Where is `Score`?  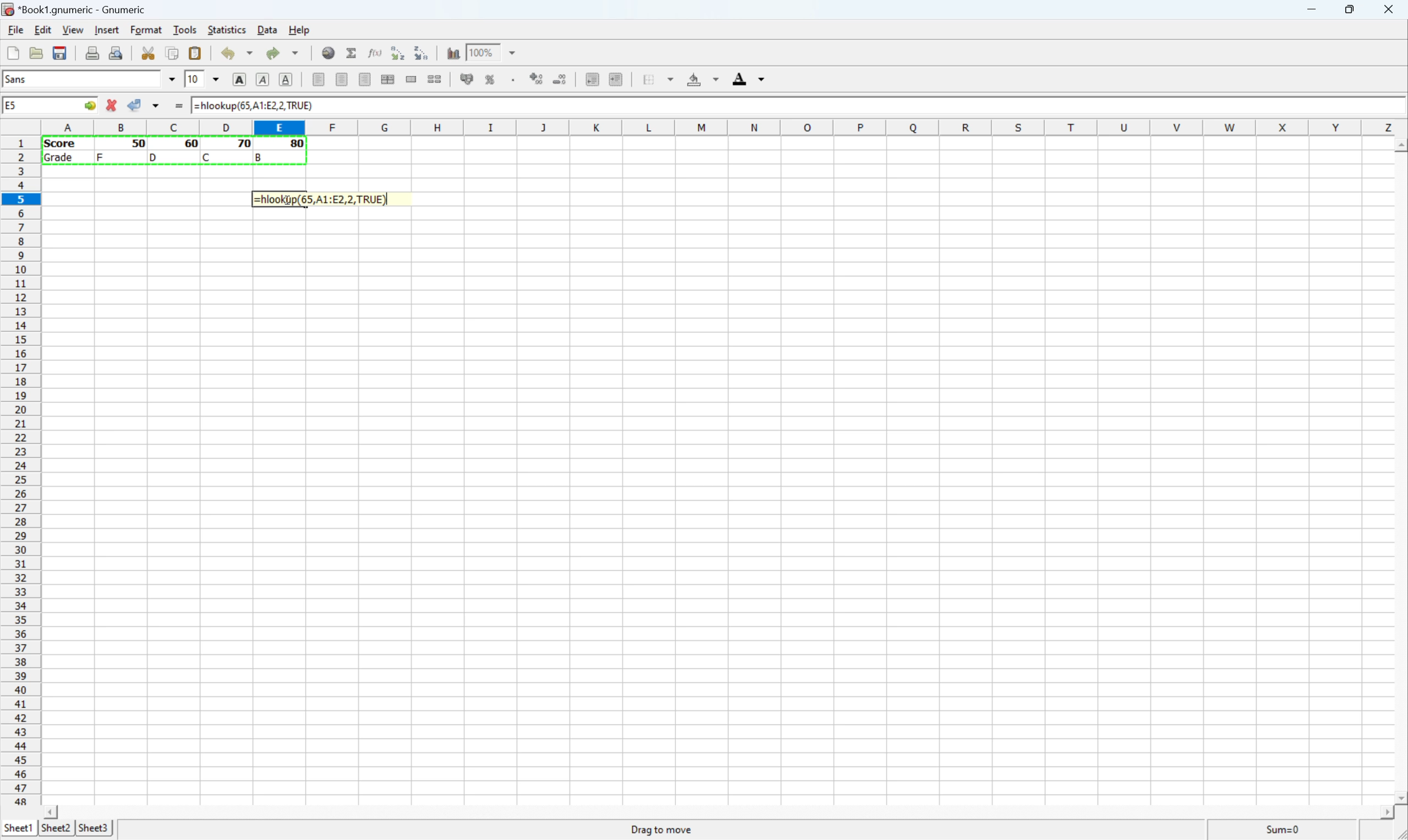 Score is located at coordinates (63, 144).